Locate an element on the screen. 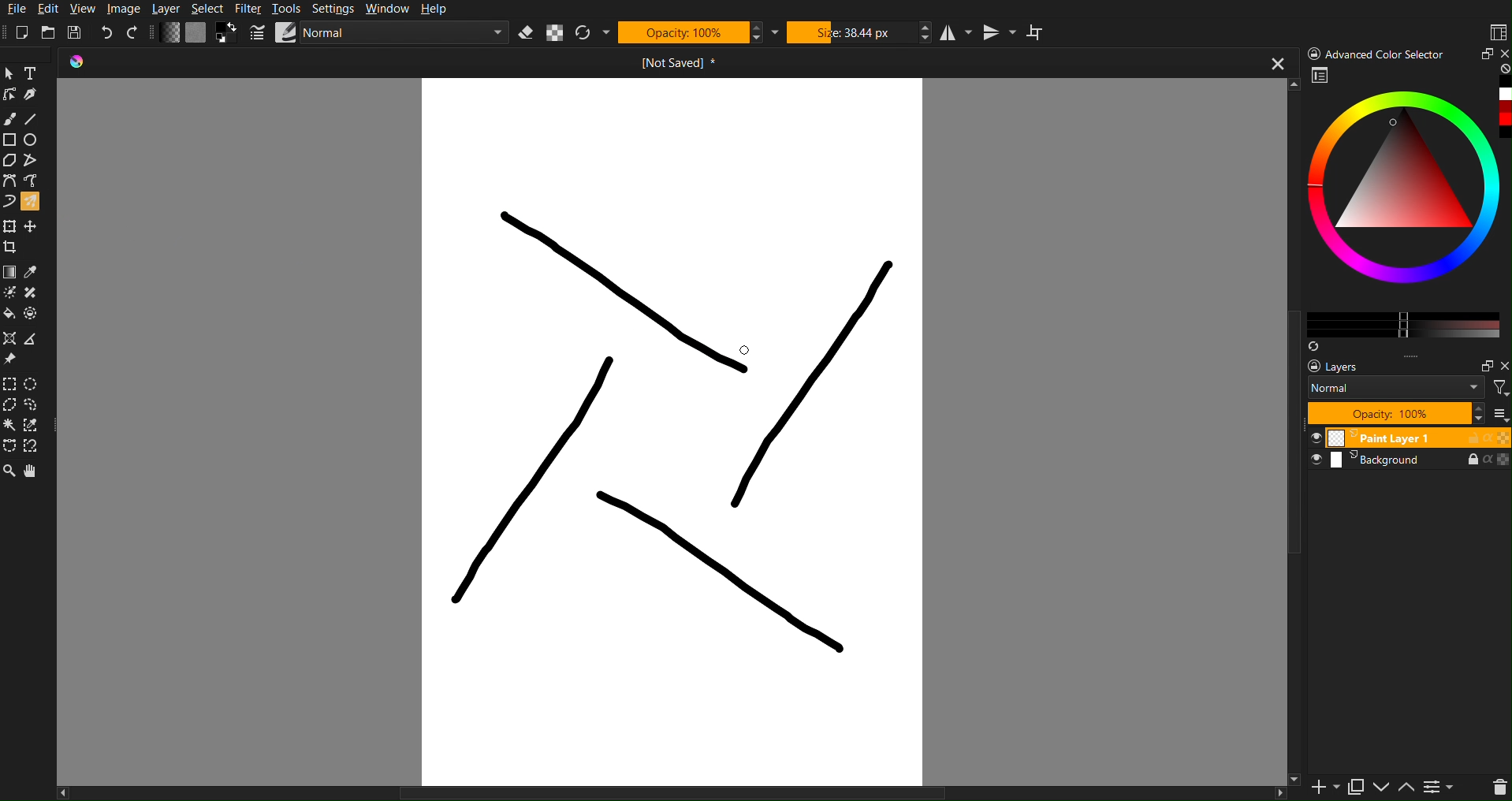  Advanced Color Selector is located at coordinates (1407, 208).